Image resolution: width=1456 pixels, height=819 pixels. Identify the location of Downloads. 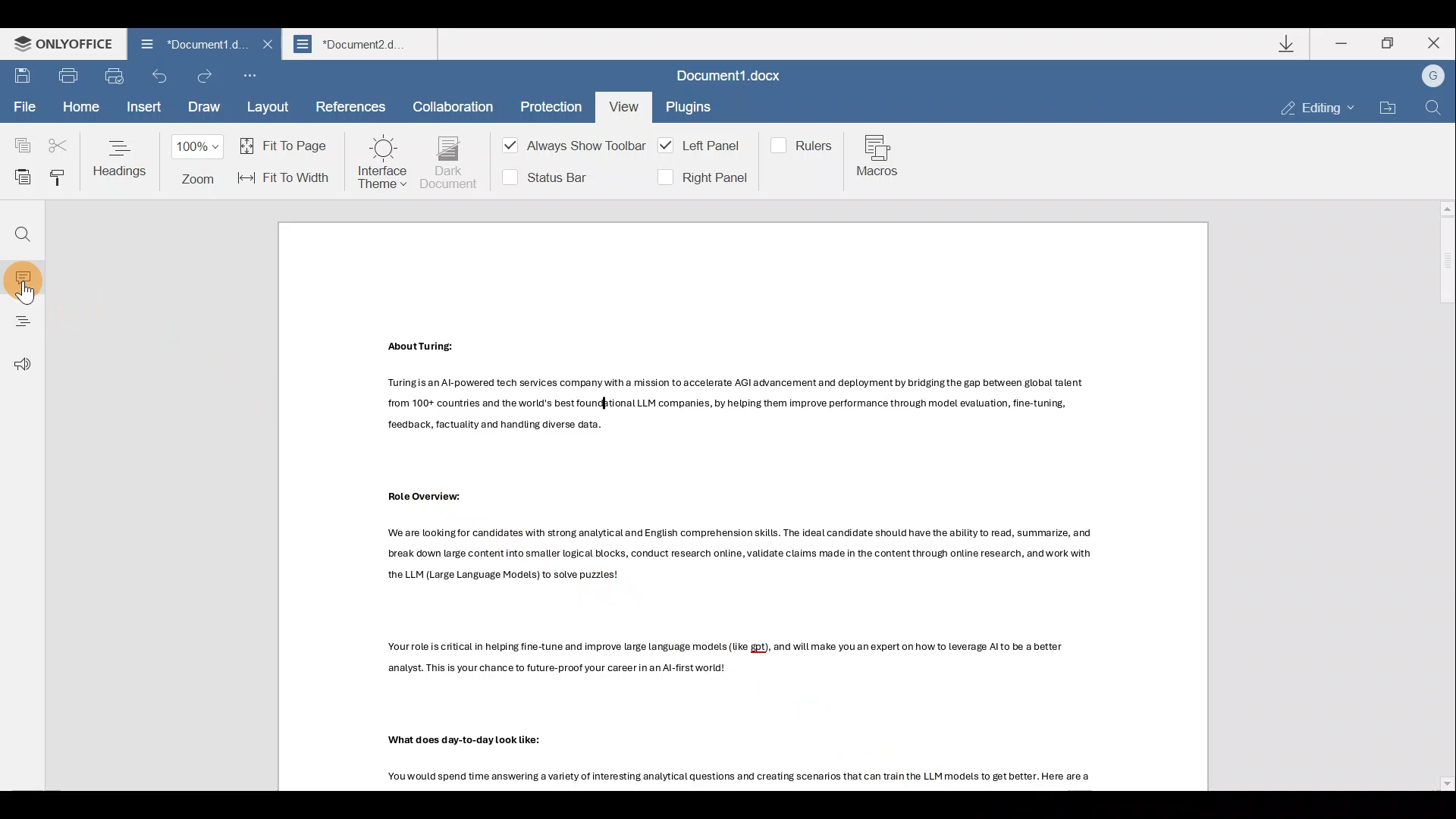
(1288, 43).